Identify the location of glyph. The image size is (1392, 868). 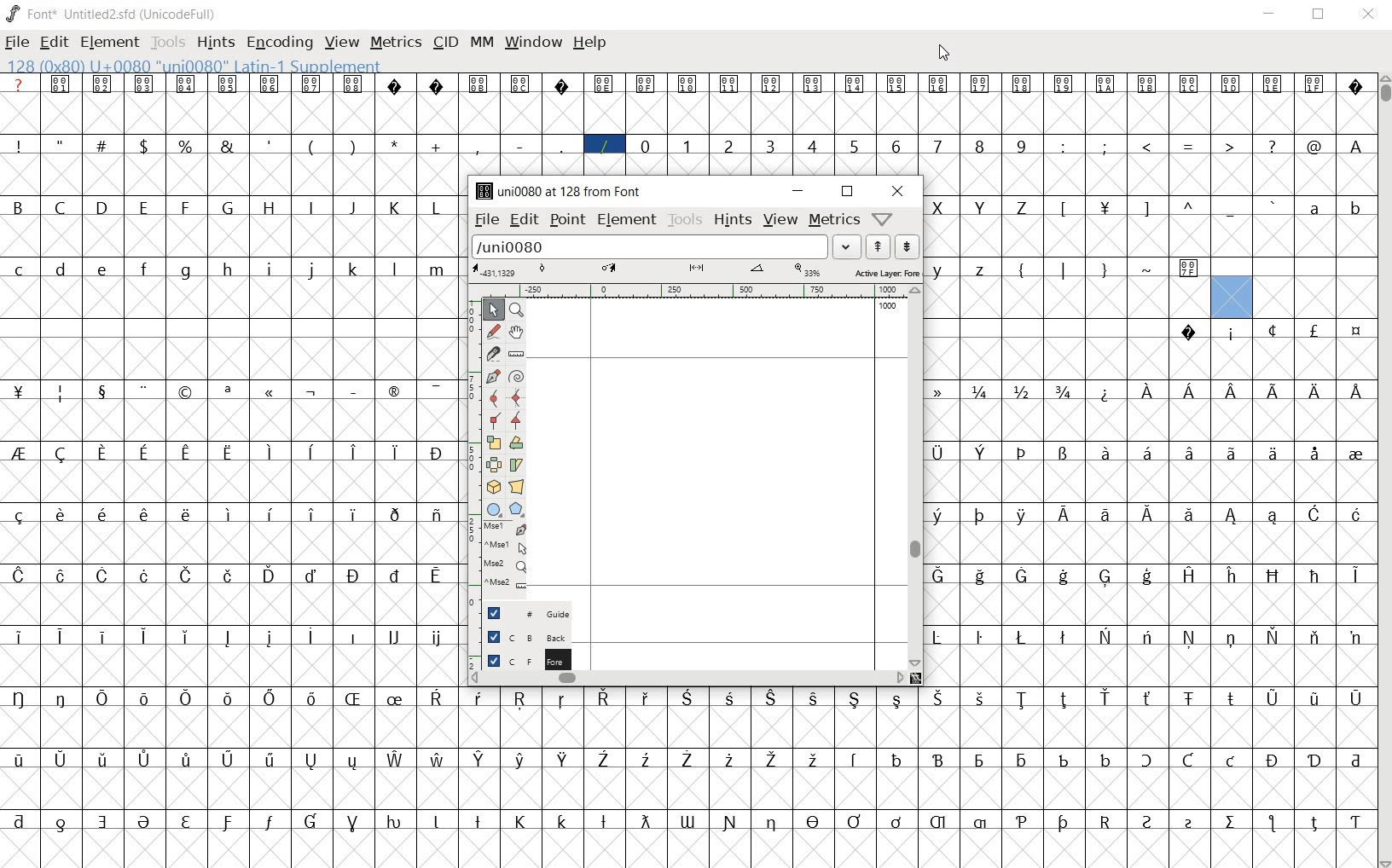
(104, 759).